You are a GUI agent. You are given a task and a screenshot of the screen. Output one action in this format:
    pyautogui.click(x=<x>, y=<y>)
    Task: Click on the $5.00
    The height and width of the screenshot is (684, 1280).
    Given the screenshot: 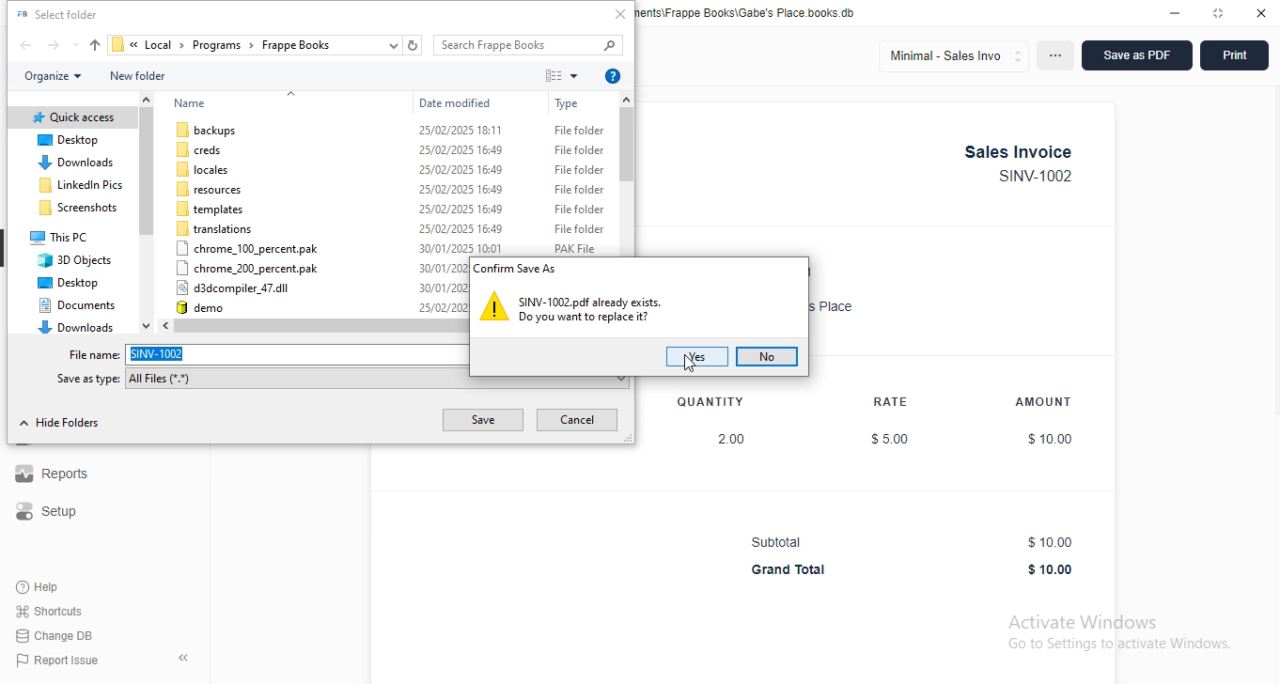 What is the action you would take?
    pyautogui.click(x=891, y=439)
    